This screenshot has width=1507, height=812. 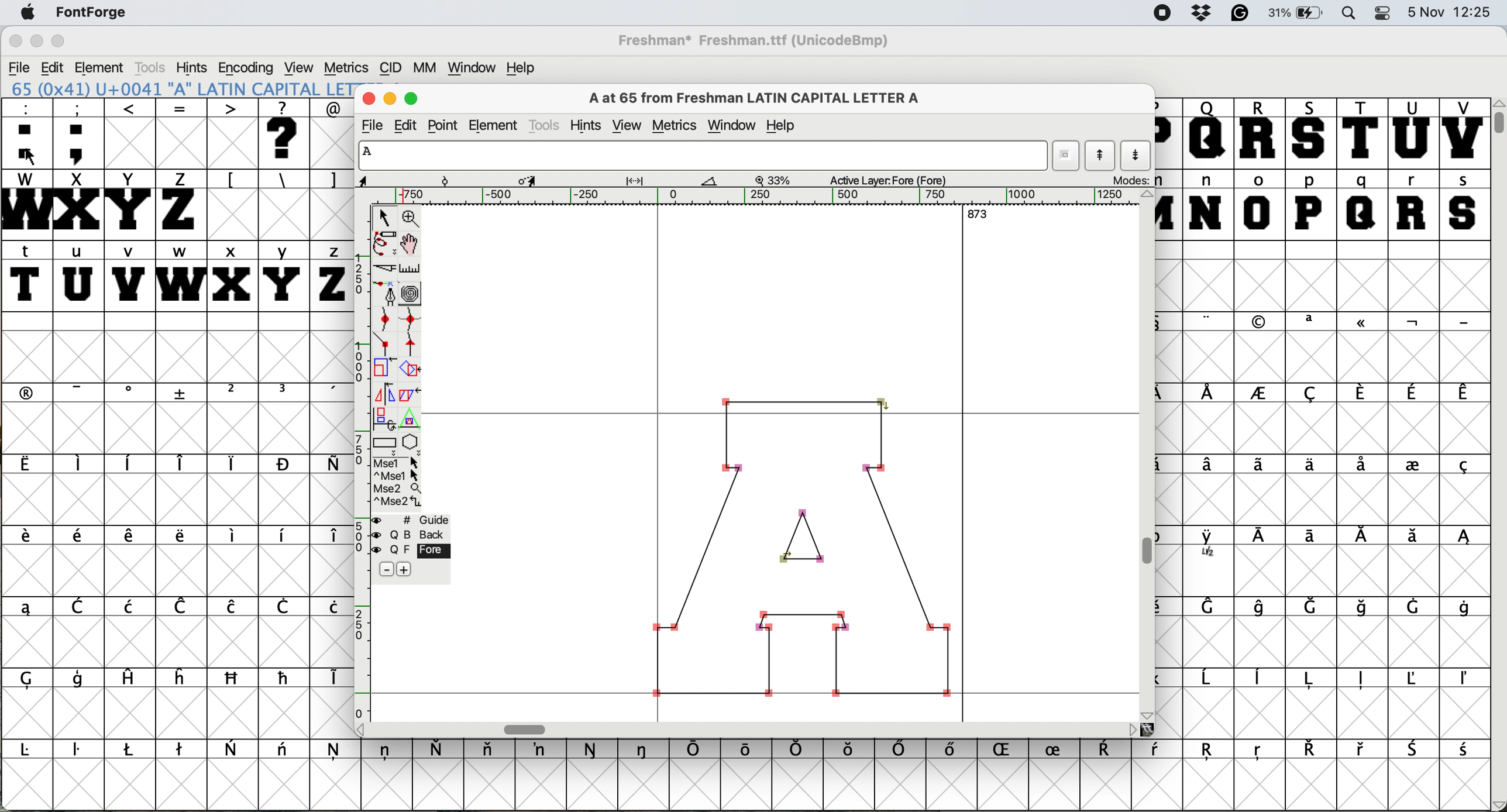 What do you see at coordinates (386, 395) in the screenshot?
I see `flip the selection` at bounding box center [386, 395].